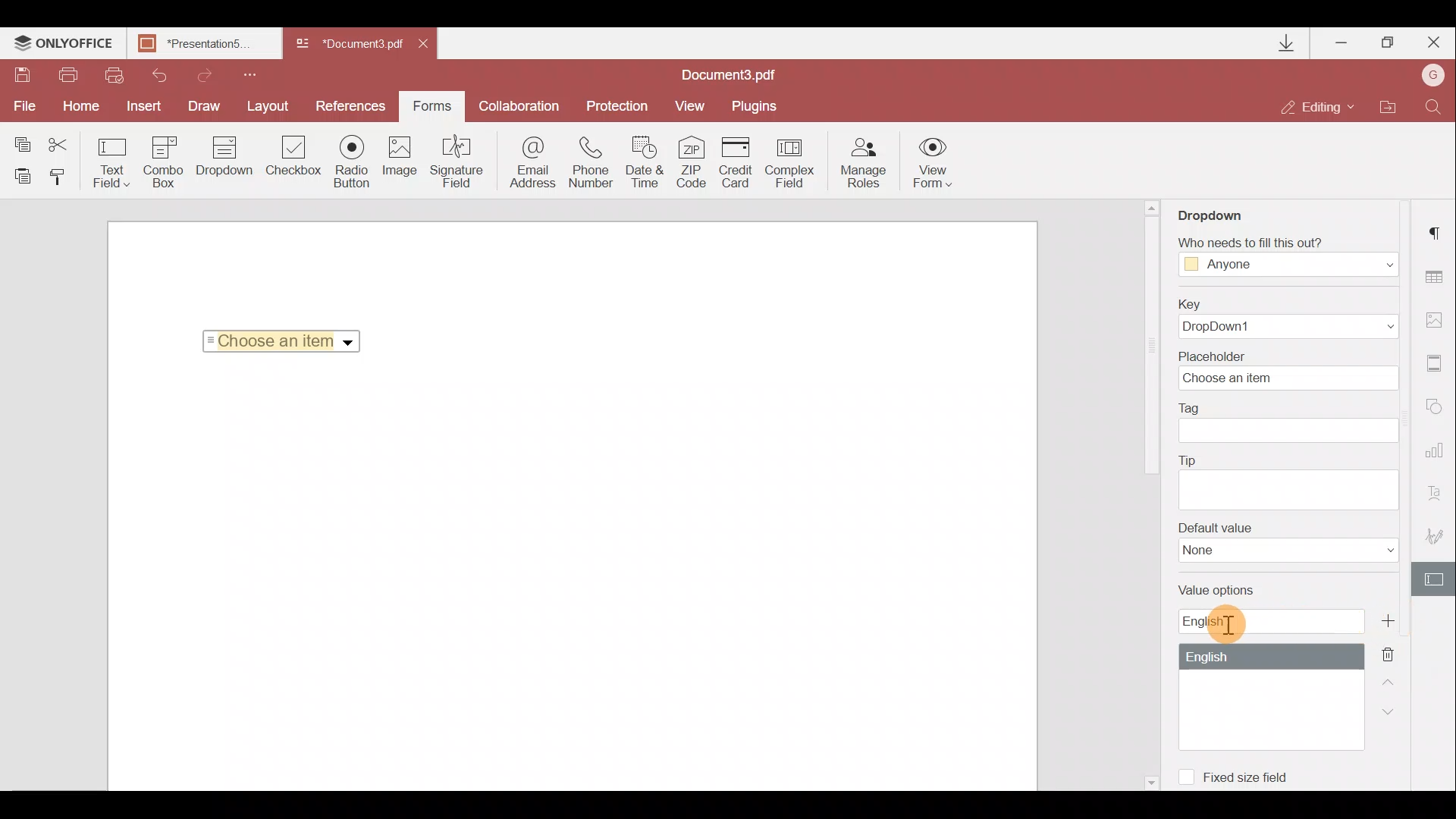  What do you see at coordinates (1318, 106) in the screenshot?
I see `Editing mode` at bounding box center [1318, 106].